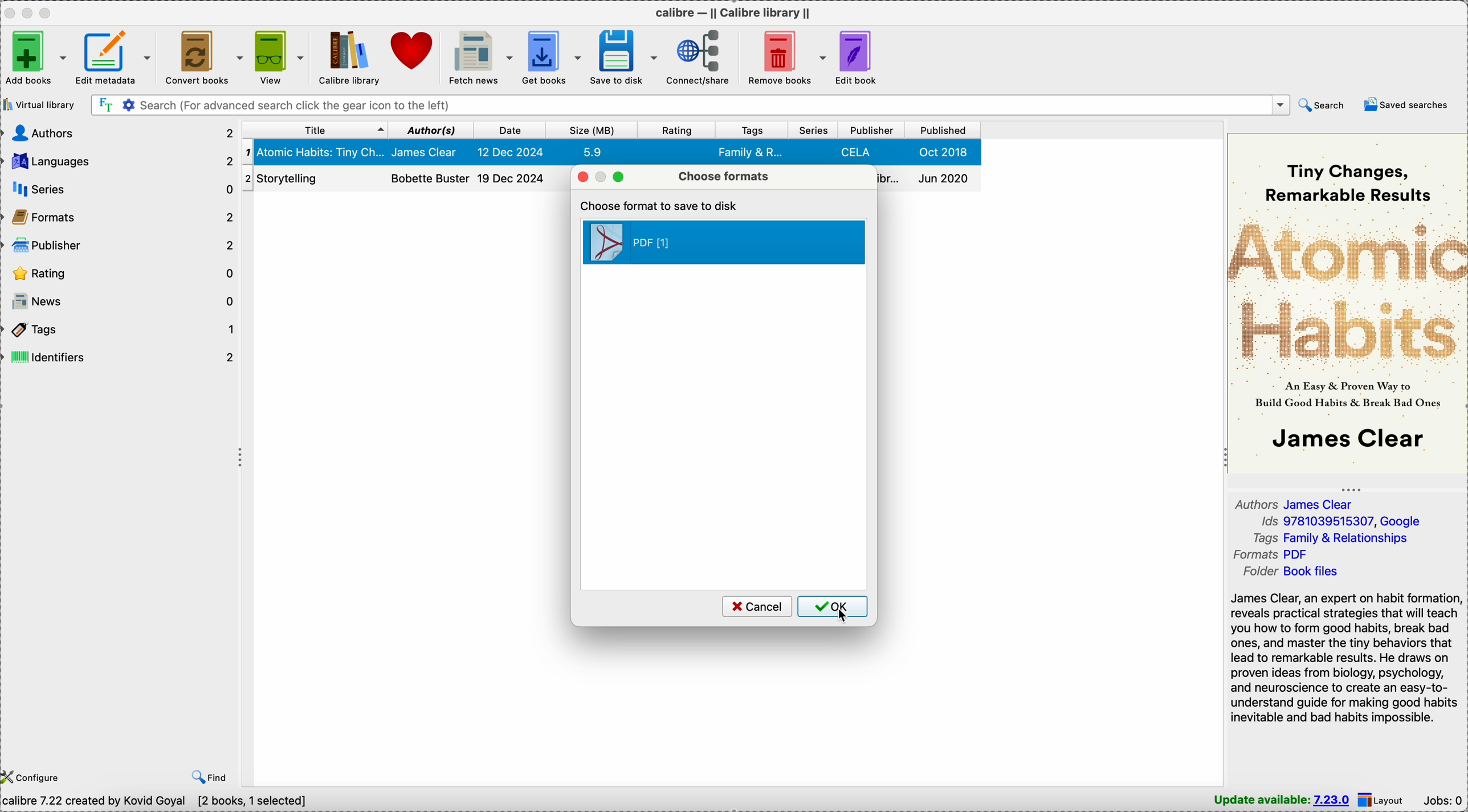 The width and height of the screenshot is (1468, 812). Describe the element at coordinates (622, 57) in the screenshot. I see `save to disk` at that location.